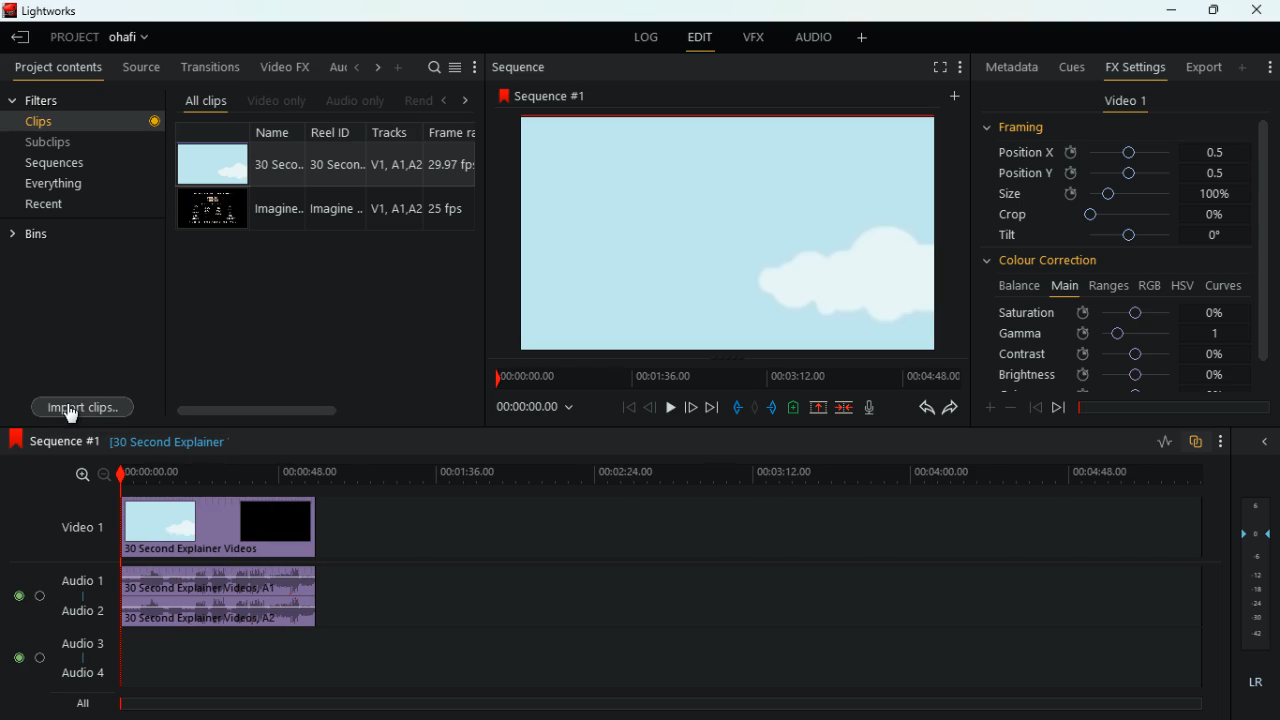 This screenshot has width=1280, height=720. What do you see at coordinates (30, 595) in the screenshot?
I see `Audio` at bounding box center [30, 595].